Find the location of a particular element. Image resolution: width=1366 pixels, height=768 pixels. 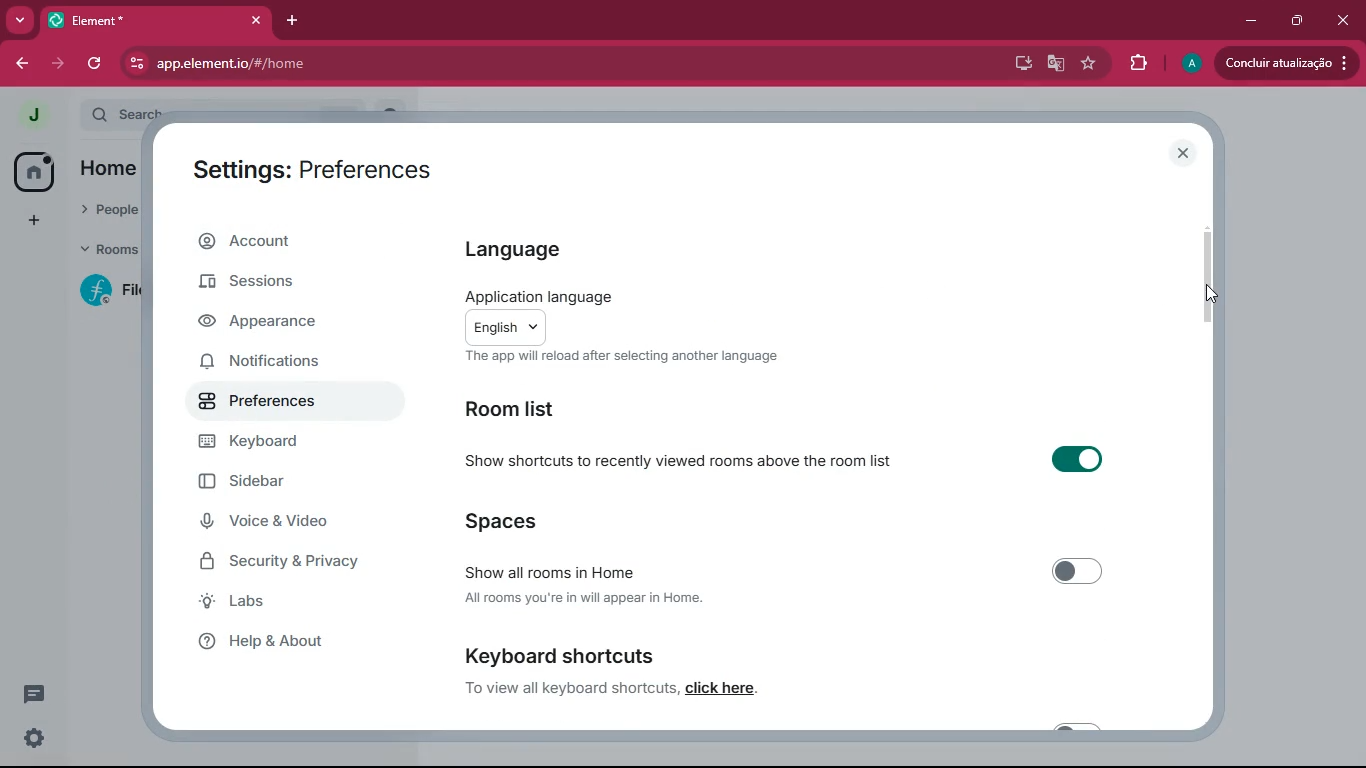

close is located at coordinates (1187, 151).